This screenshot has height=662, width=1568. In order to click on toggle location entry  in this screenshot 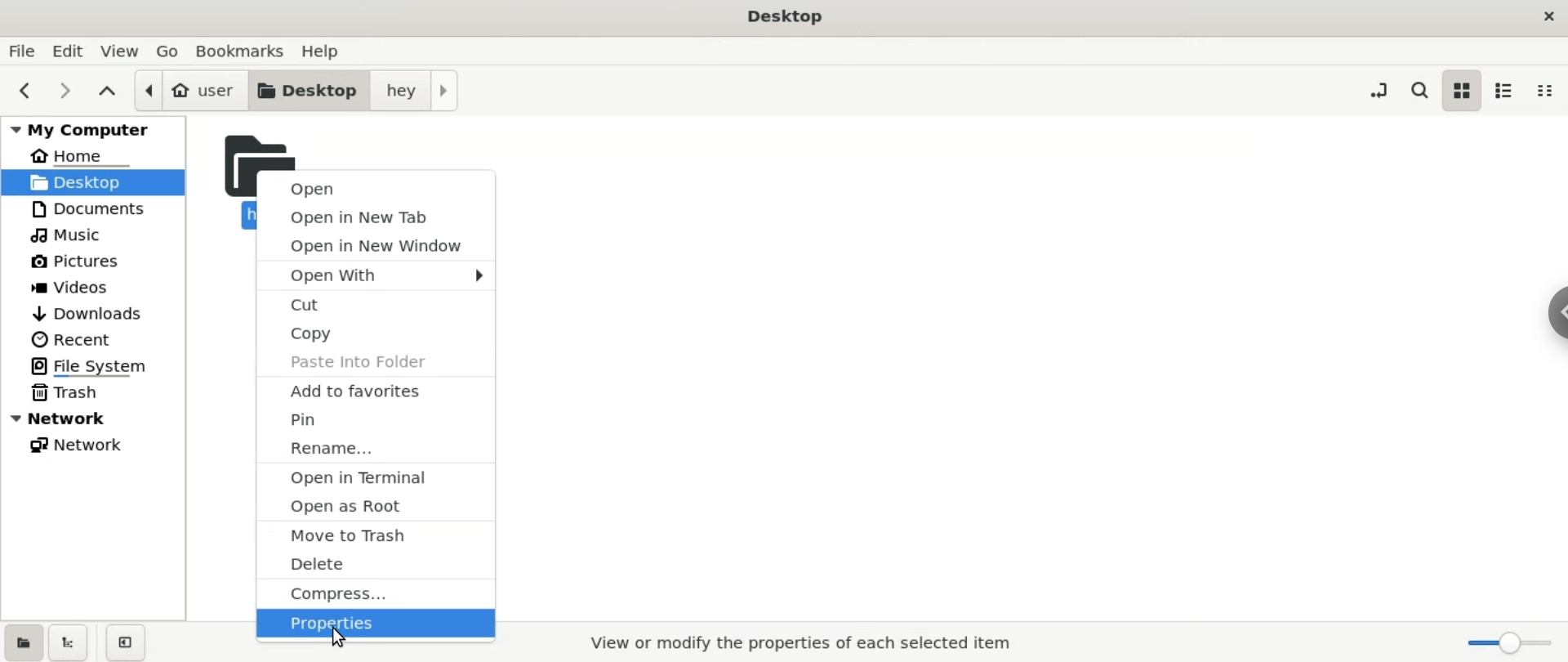, I will do `click(1375, 86)`.